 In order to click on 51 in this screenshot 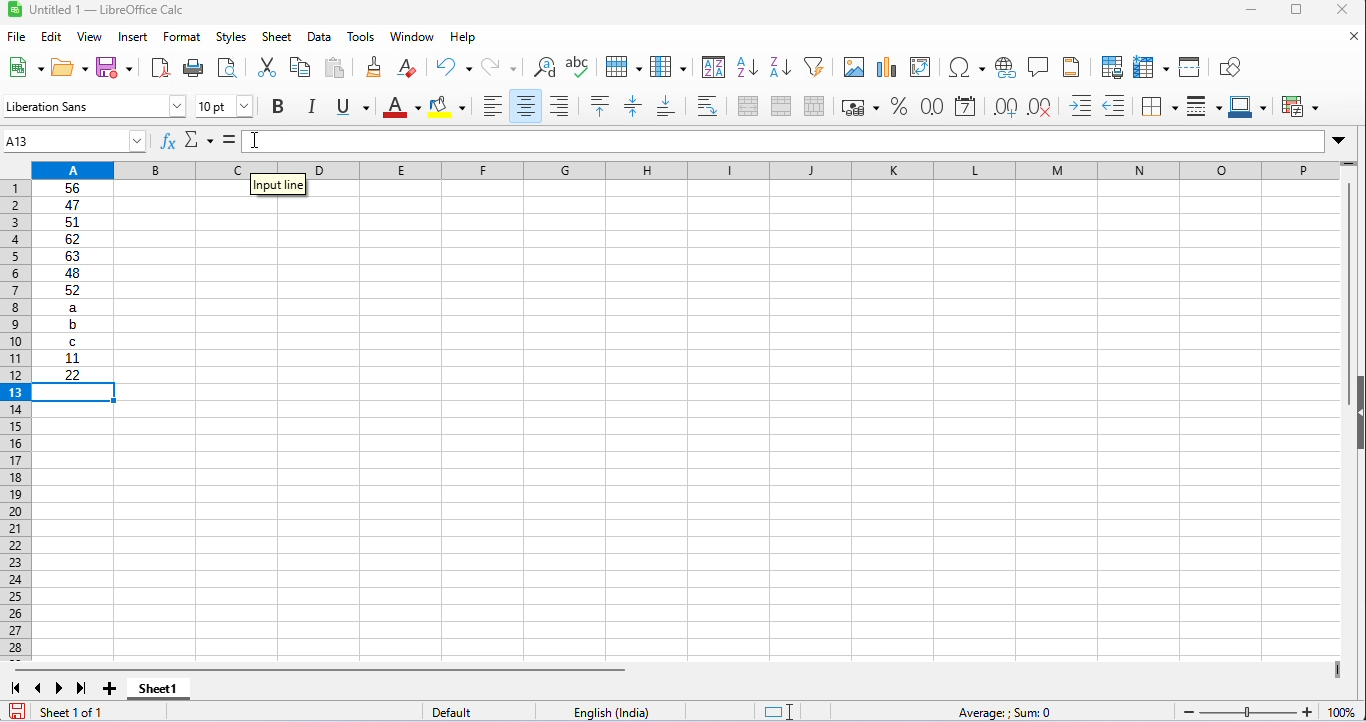, I will do `click(72, 223)`.